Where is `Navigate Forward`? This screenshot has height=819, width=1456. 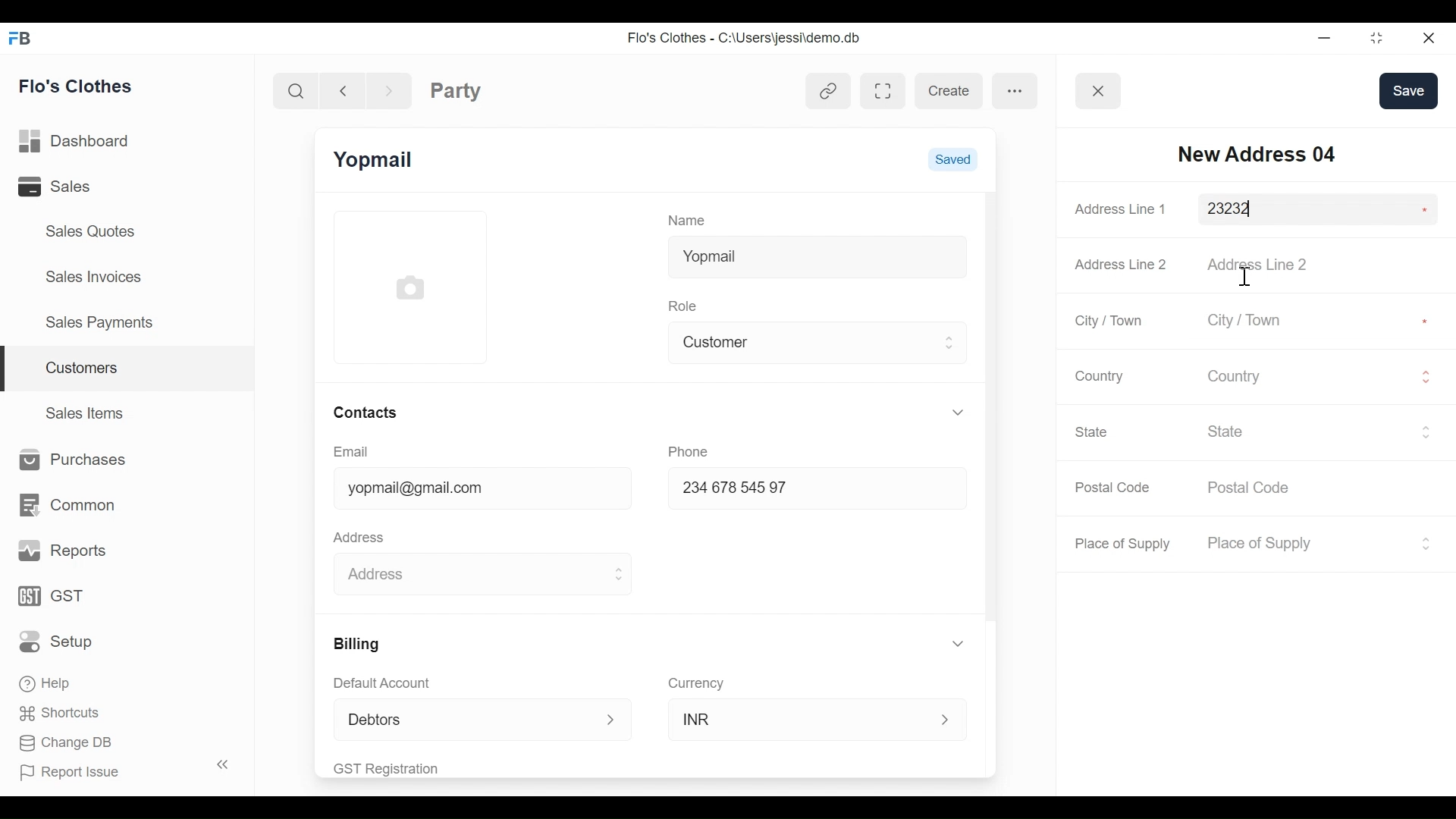 Navigate Forward is located at coordinates (389, 89).